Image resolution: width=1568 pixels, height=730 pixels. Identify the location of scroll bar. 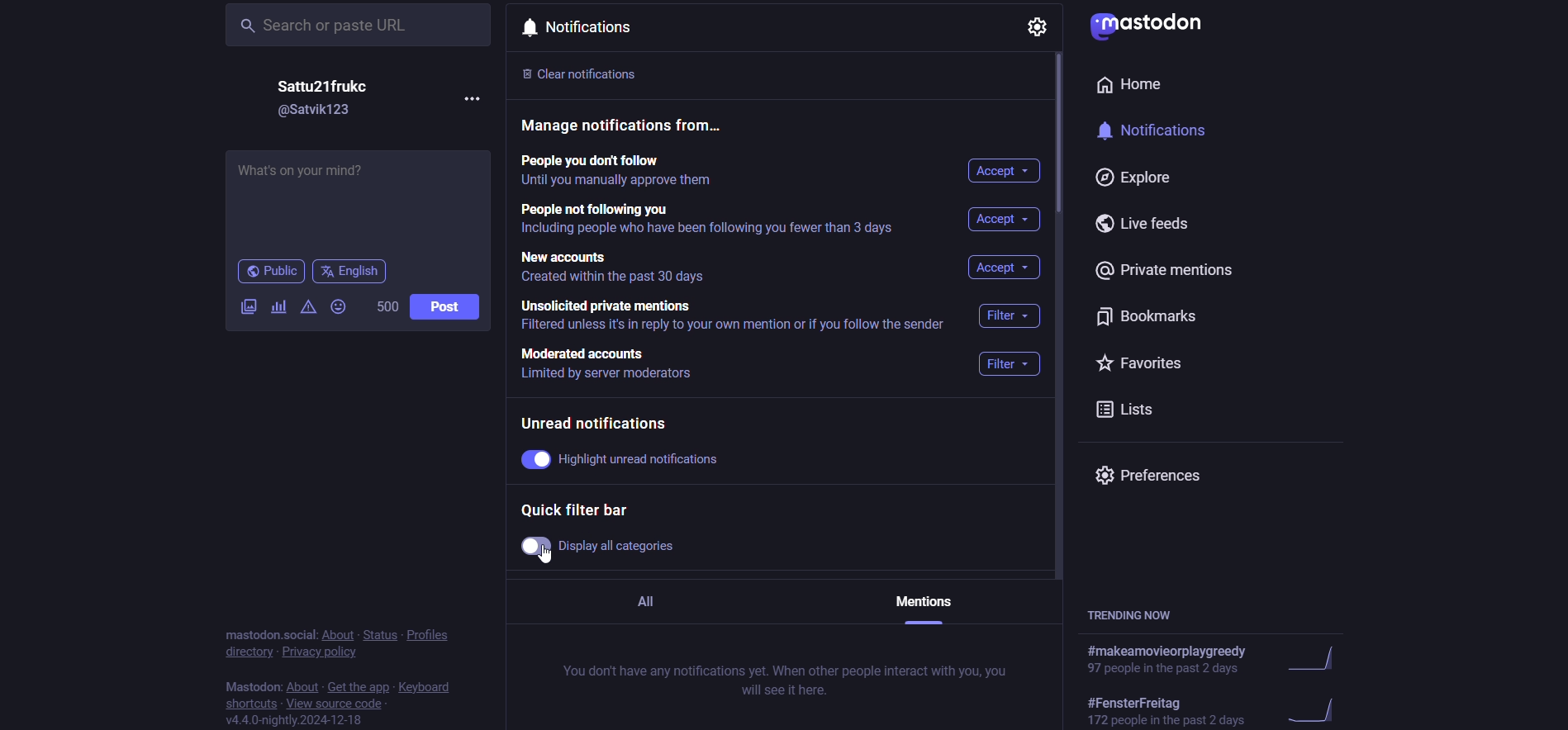
(1061, 141).